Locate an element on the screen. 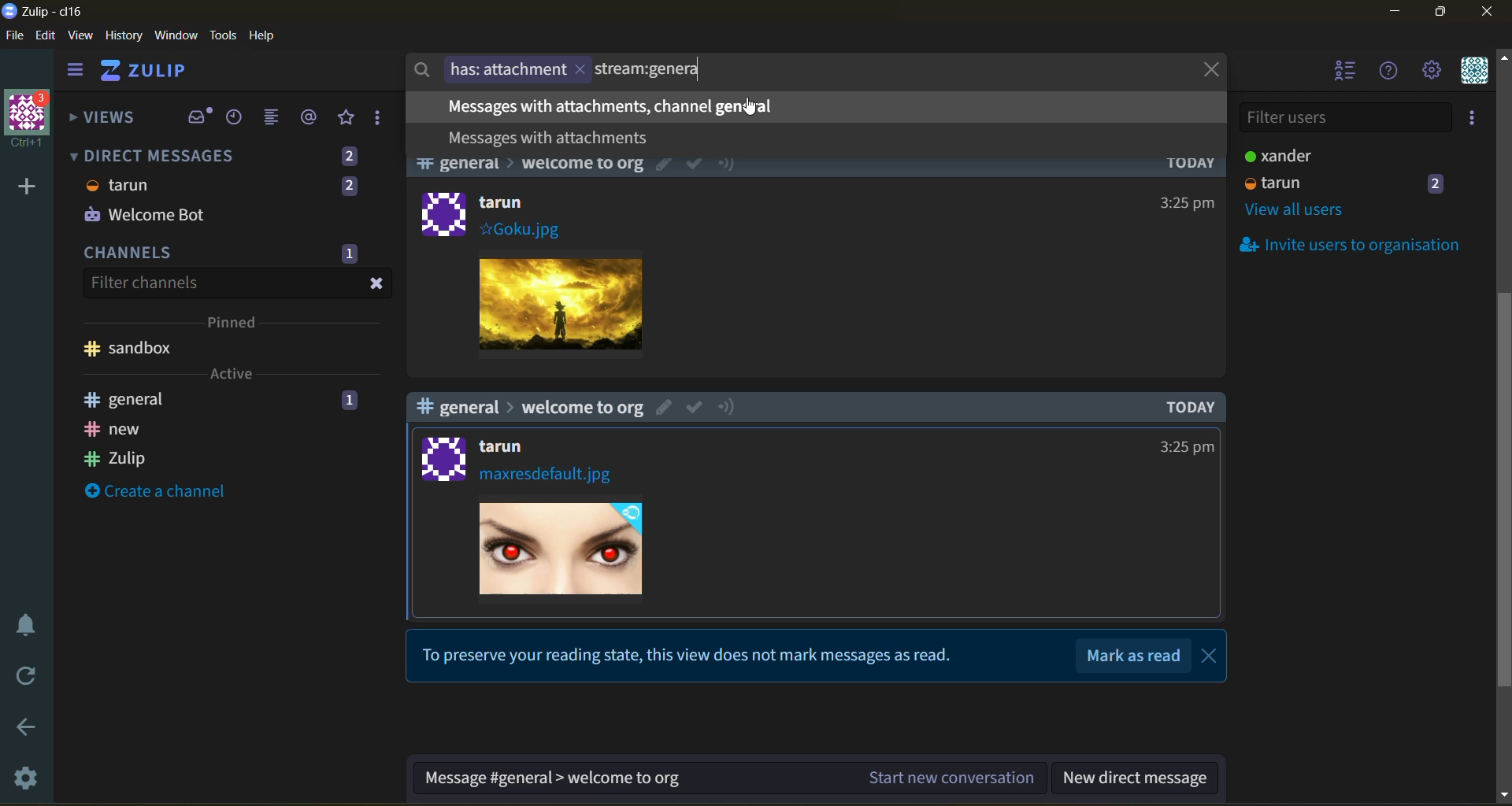 Image resolution: width=1512 pixels, height=806 pixels. window is located at coordinates (176, 35).